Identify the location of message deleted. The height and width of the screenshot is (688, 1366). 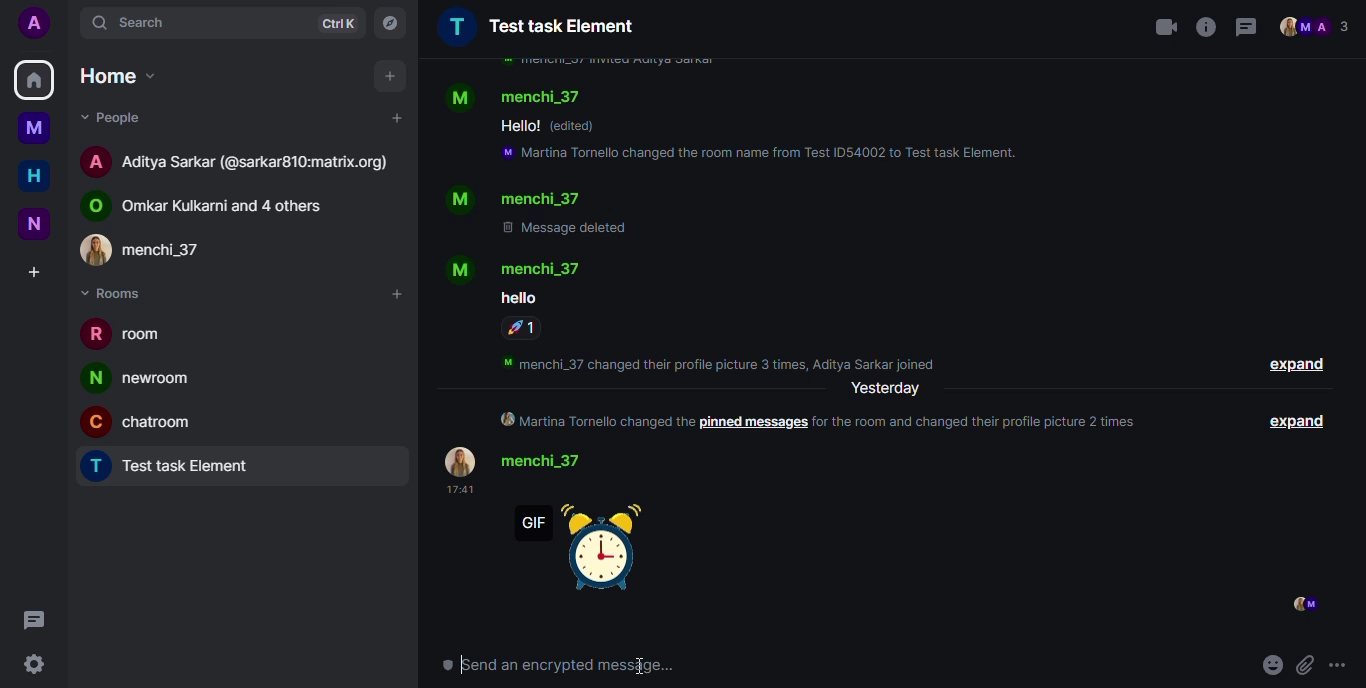
(568, 228).